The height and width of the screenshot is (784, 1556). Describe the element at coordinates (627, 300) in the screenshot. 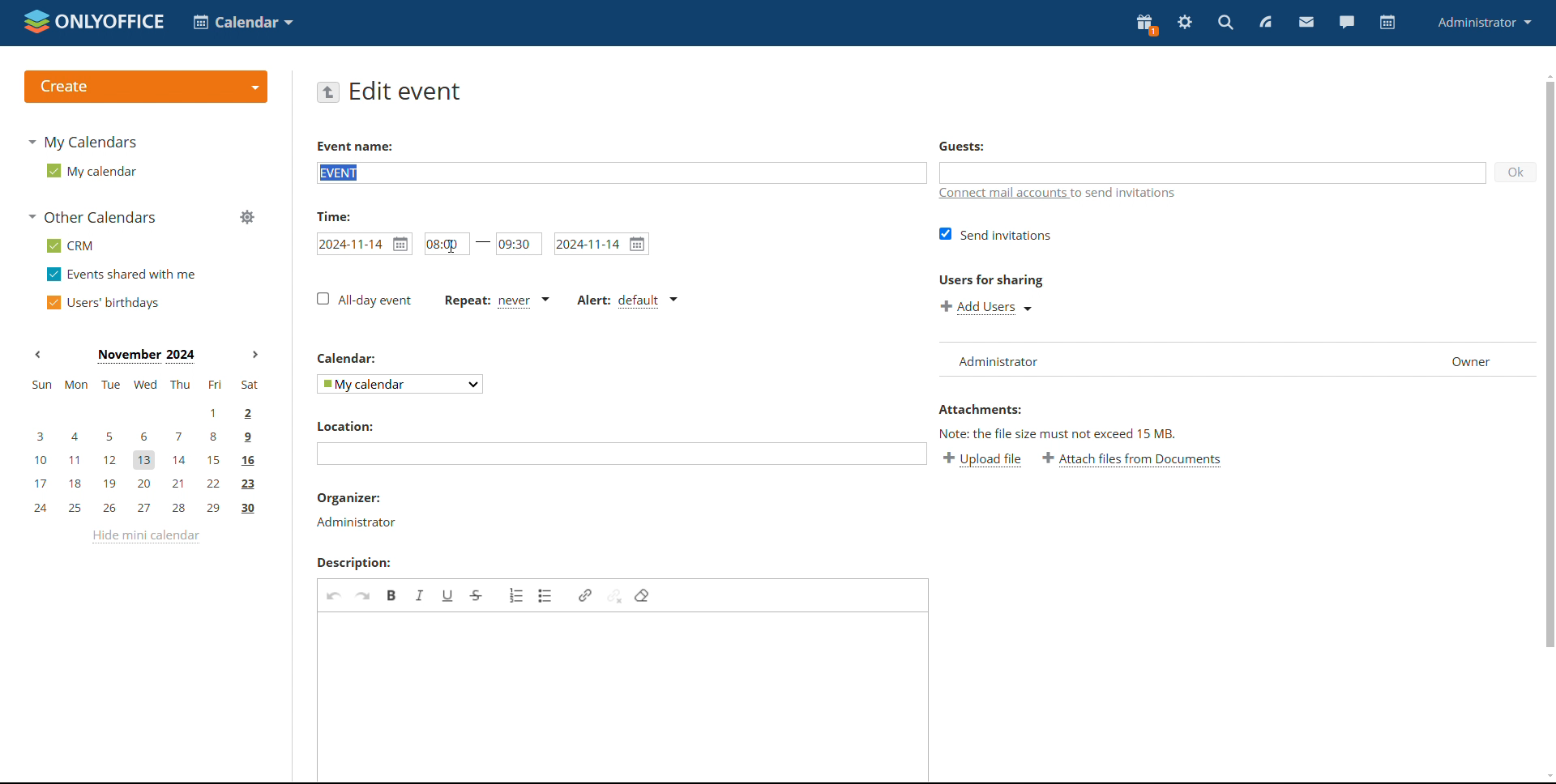

I see `alert type` at that location.